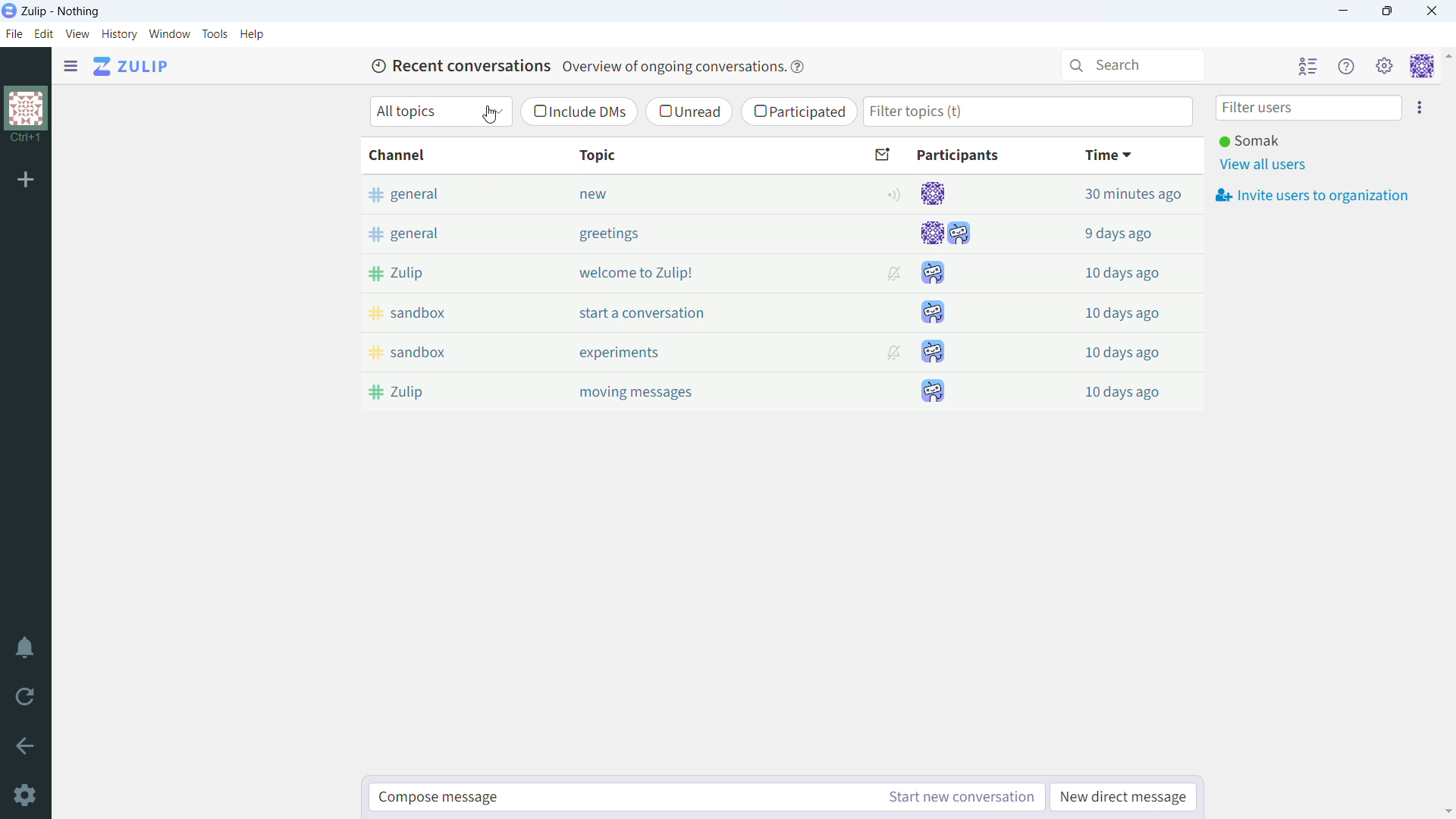 Image resolution: width=1456 pixels, height=819 pixels. I want to click on help, so click(796, 67).